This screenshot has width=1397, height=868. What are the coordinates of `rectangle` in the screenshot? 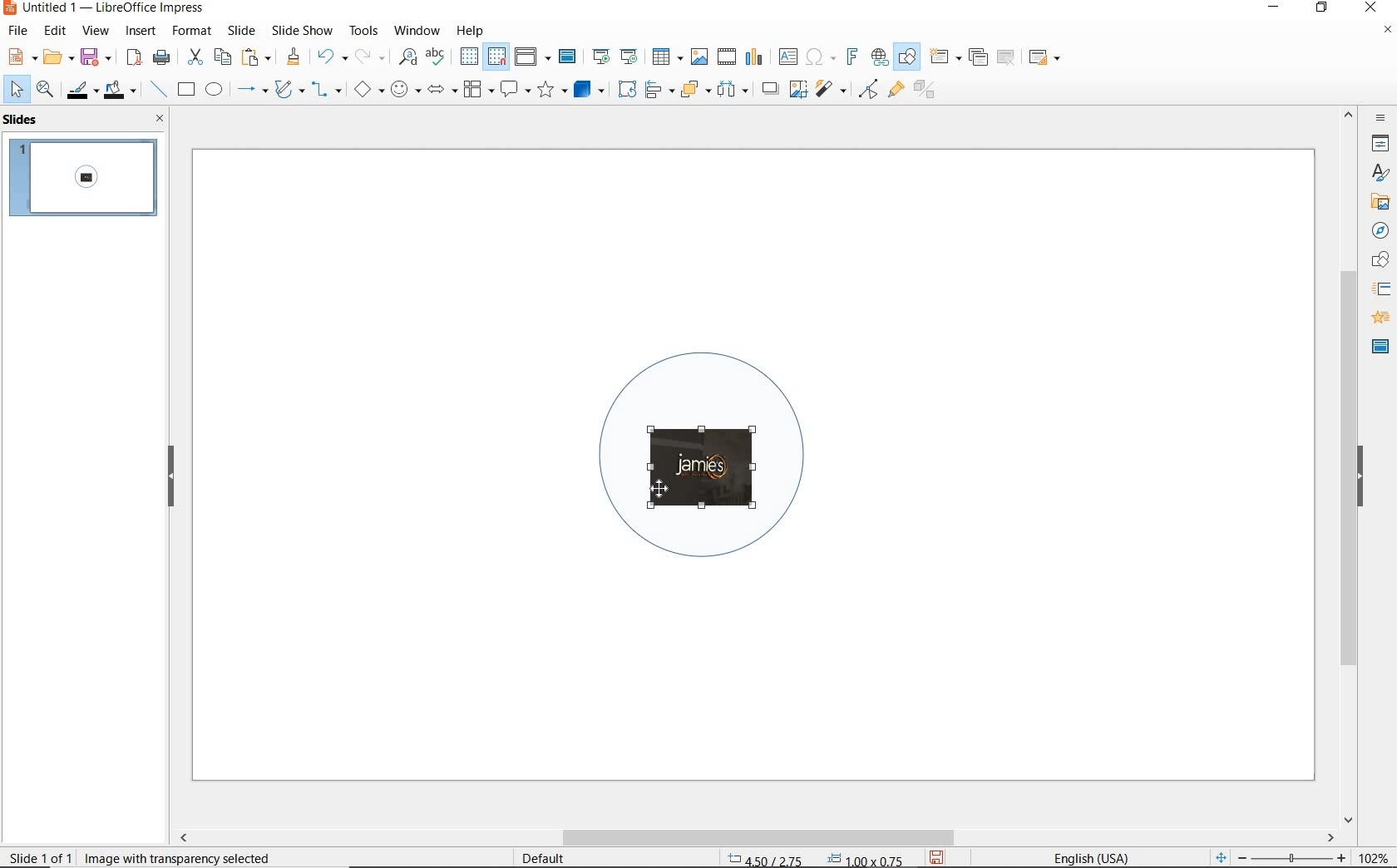 It's located at (185, 91).